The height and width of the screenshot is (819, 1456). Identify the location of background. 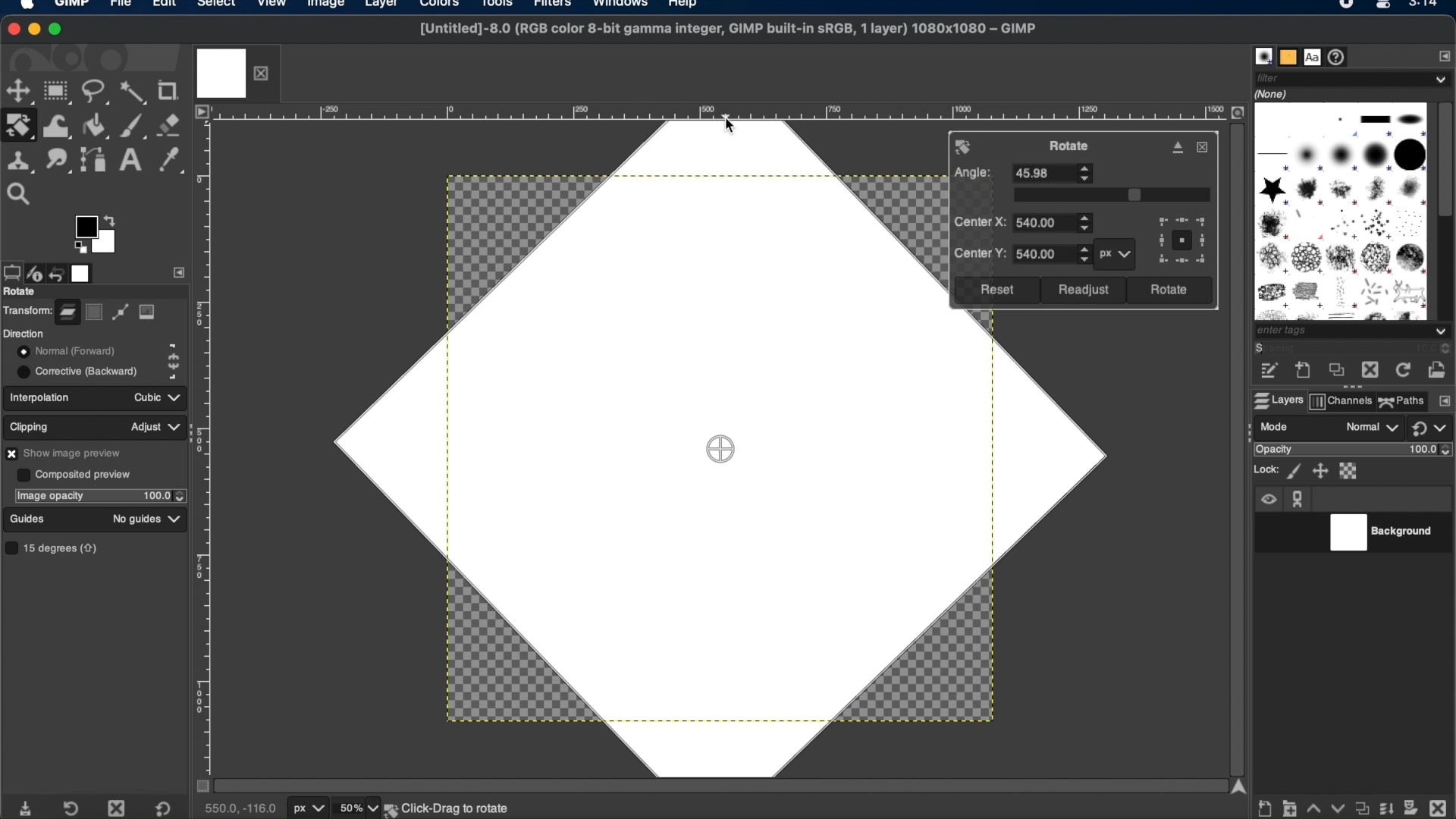
(1386, 533).